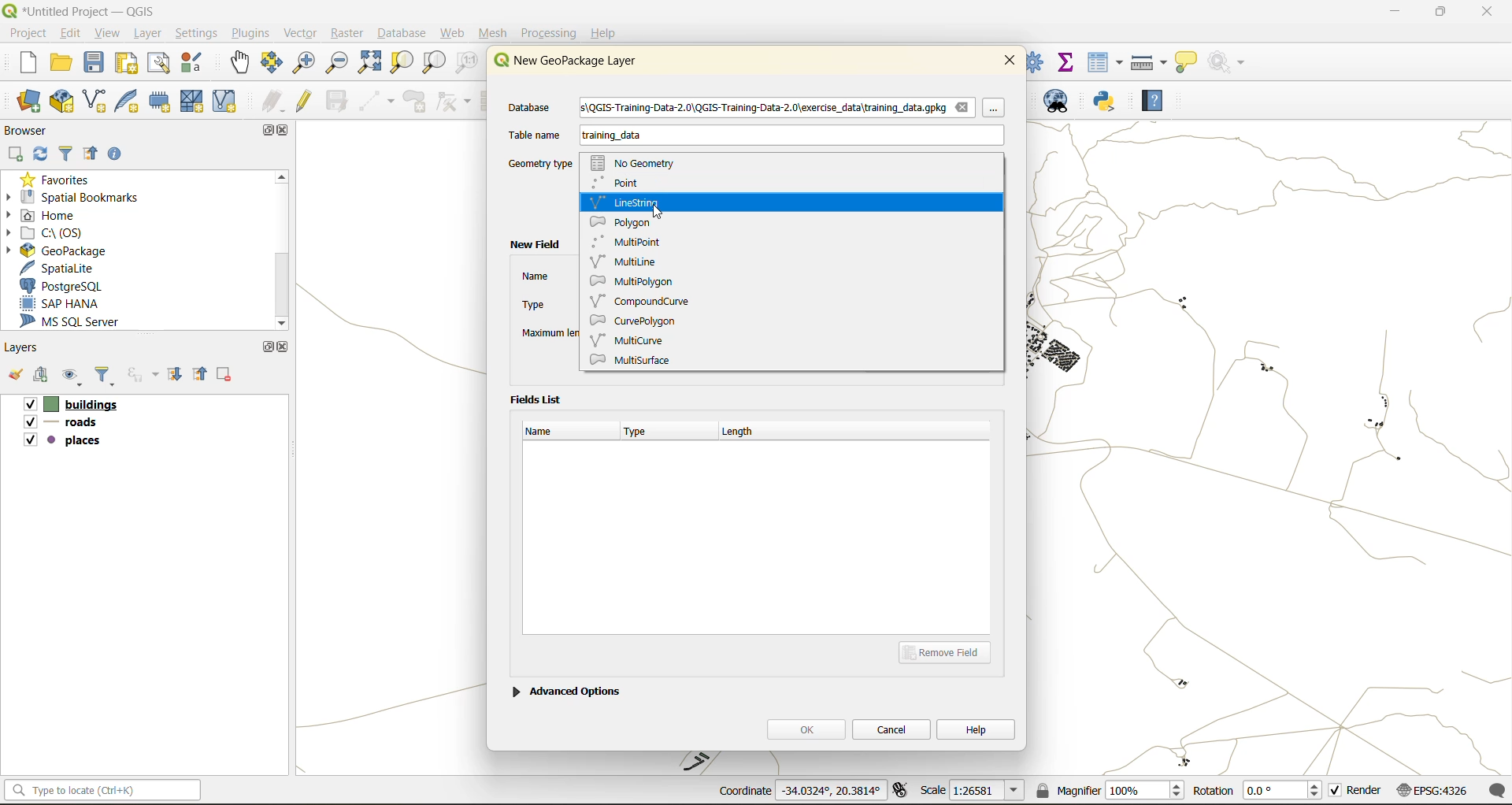 This screenshot has height=805, width=1512. What do you see at coordinates (14, 378) in the screenshot?
I see `open` at bounding box center [14, 378].